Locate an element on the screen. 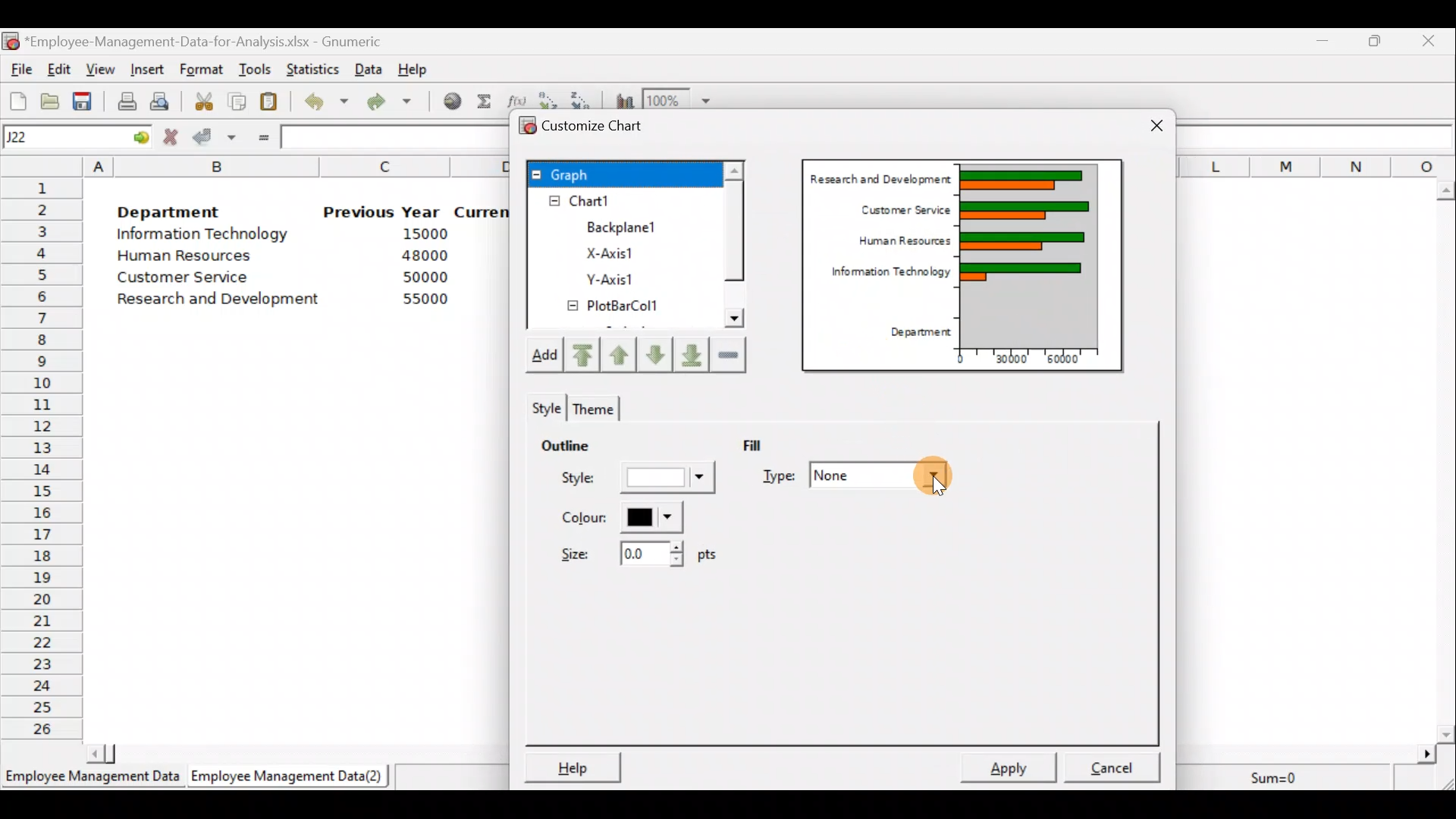  50000 is located at coordinates (422, 277).